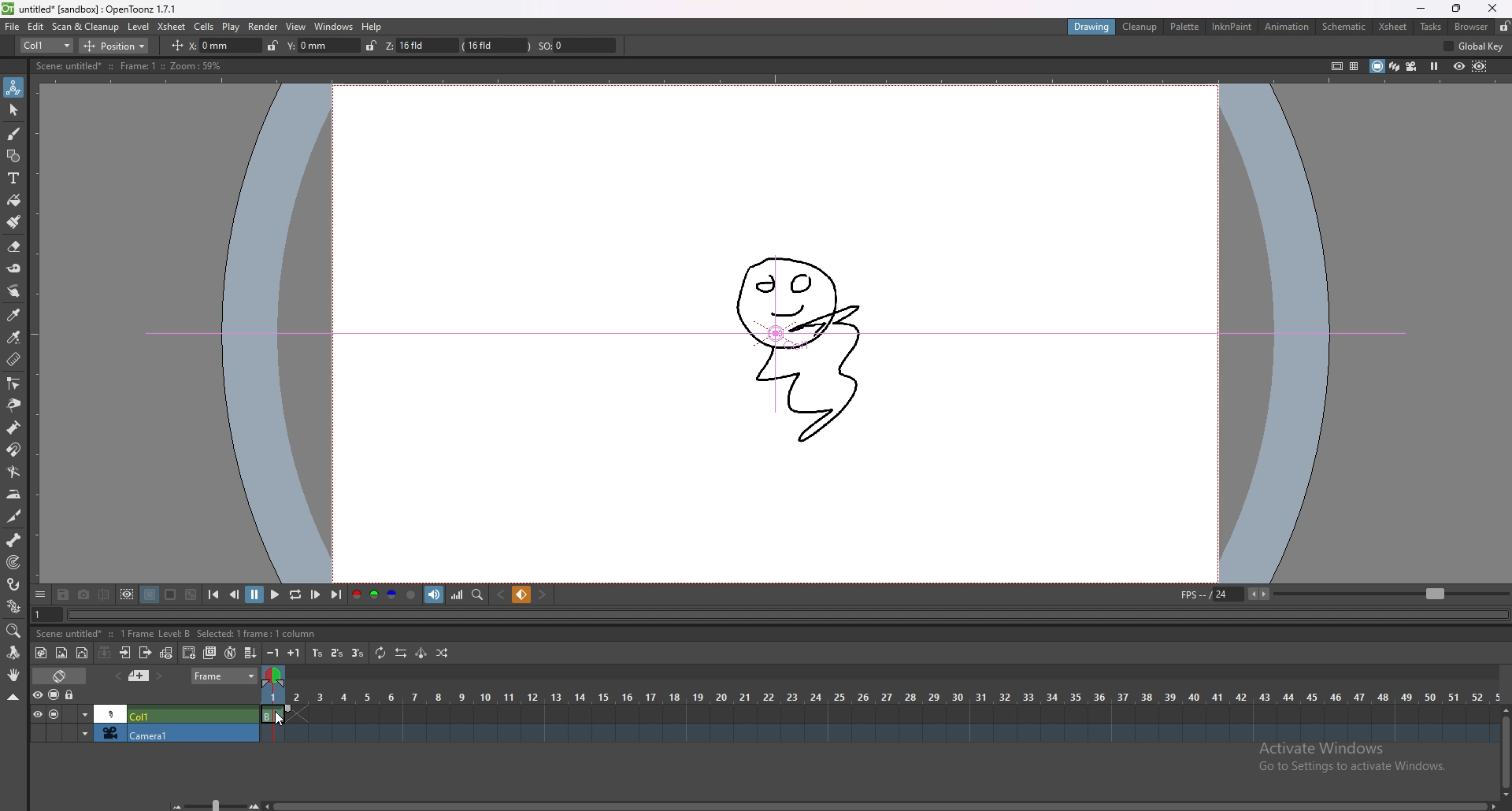  Describe the element at coordinates (391, 594) in the screenshot. I see `blue channel` at that location.